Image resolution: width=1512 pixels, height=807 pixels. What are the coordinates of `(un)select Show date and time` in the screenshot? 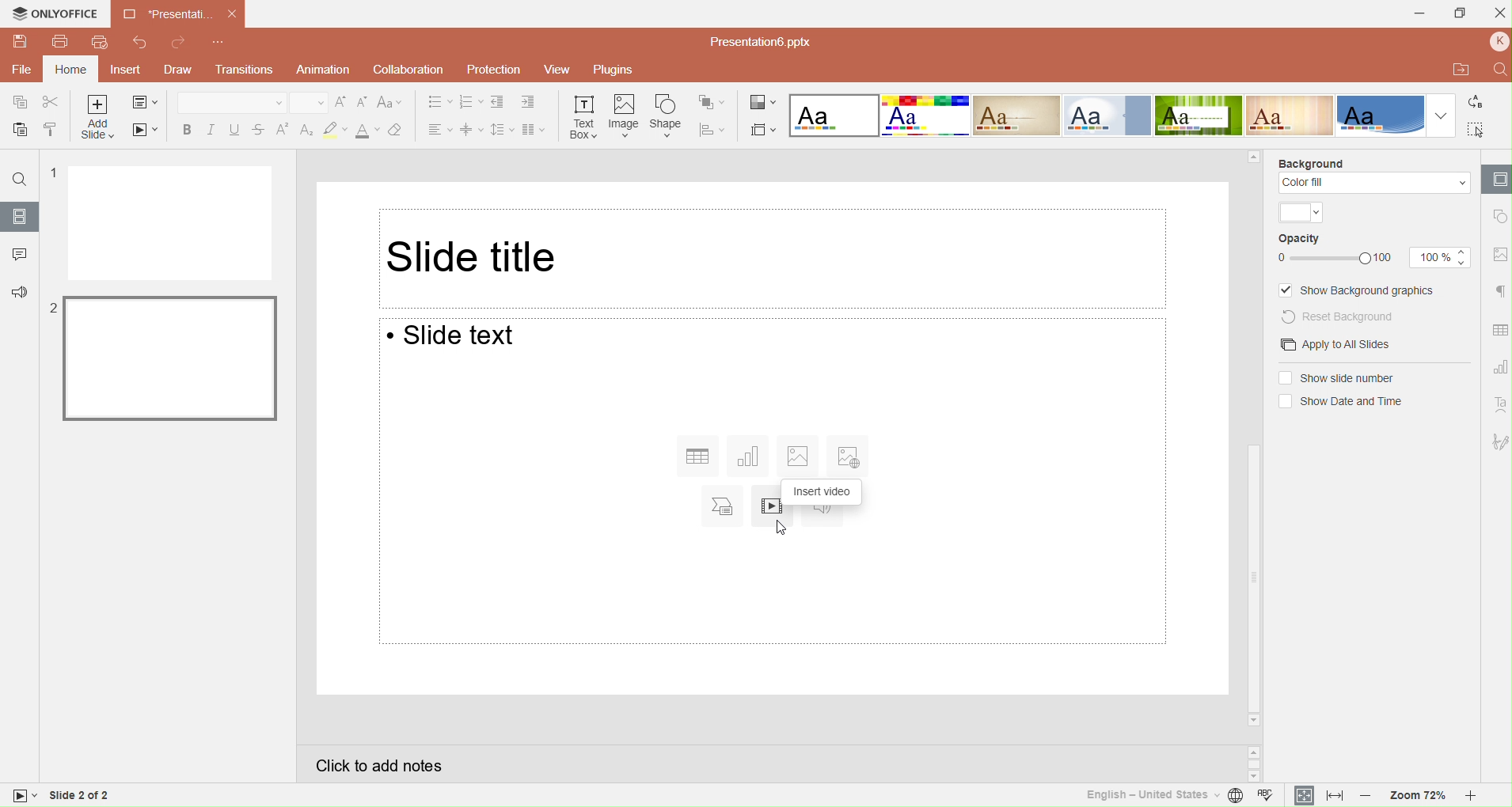 It's located at (1339, 404).